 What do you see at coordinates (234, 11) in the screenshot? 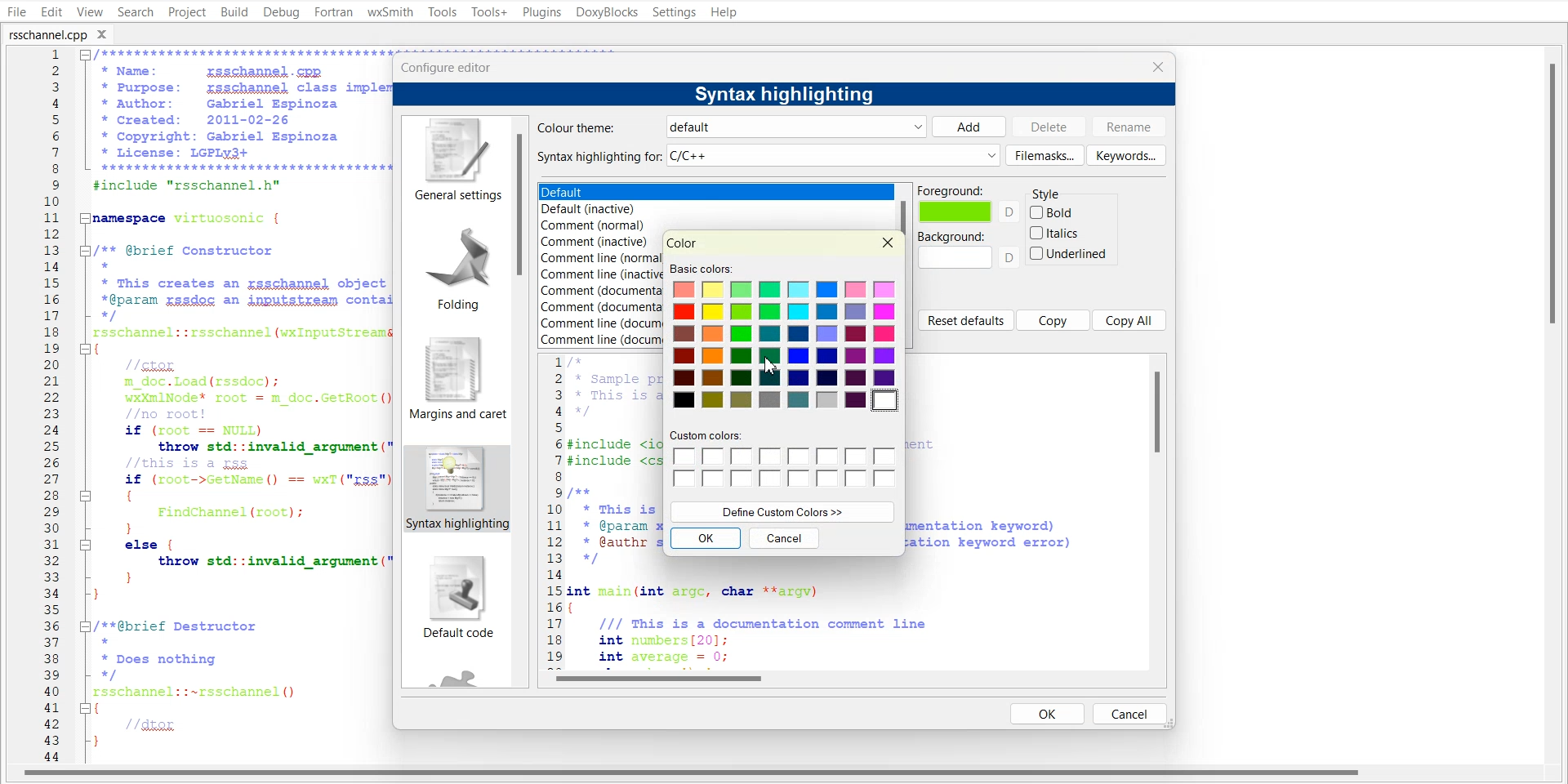
I see `Build` at bounding box center [234, 11].